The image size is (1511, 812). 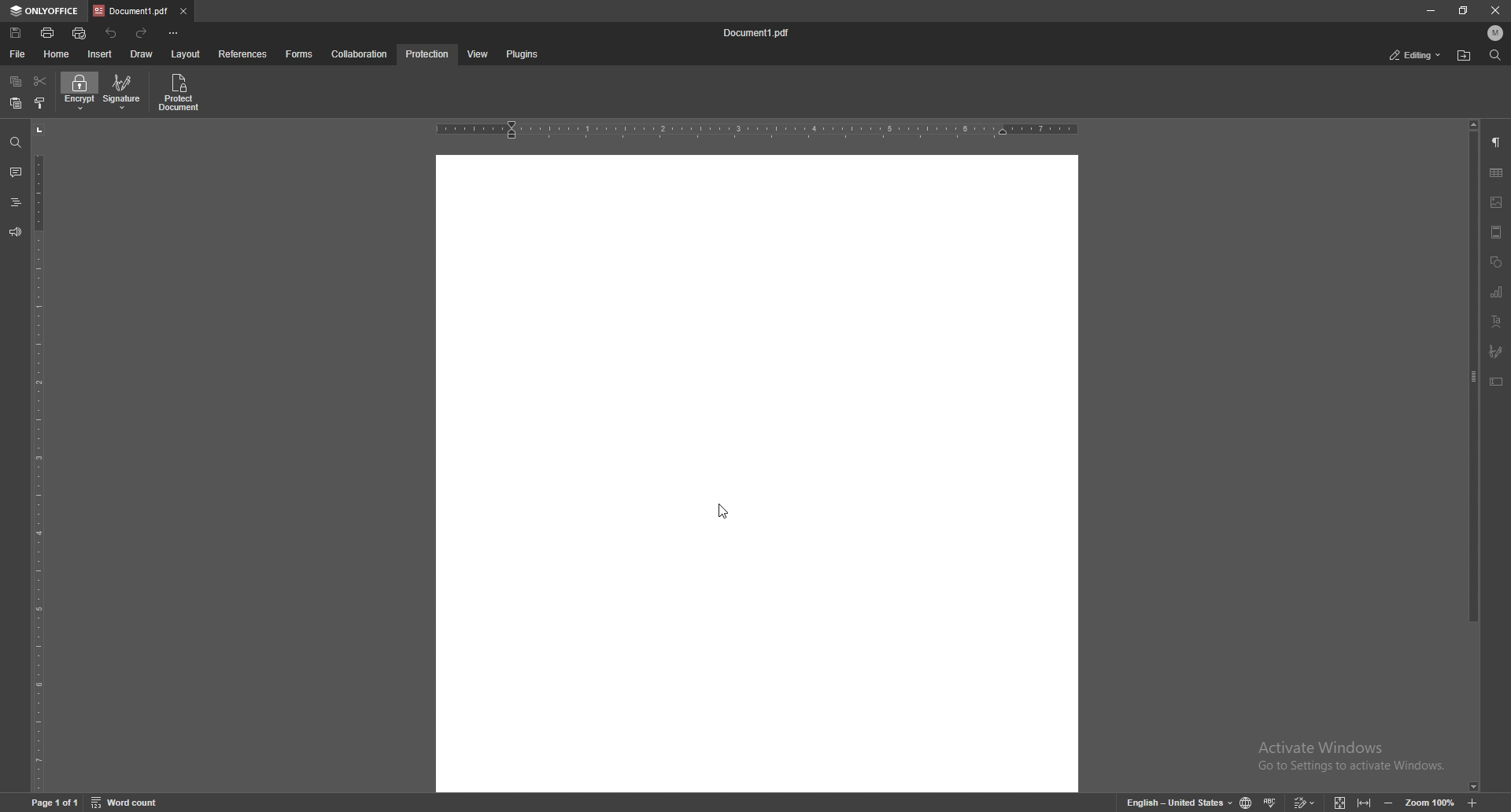 I want to click on cursor, so click(x=720, y=513).